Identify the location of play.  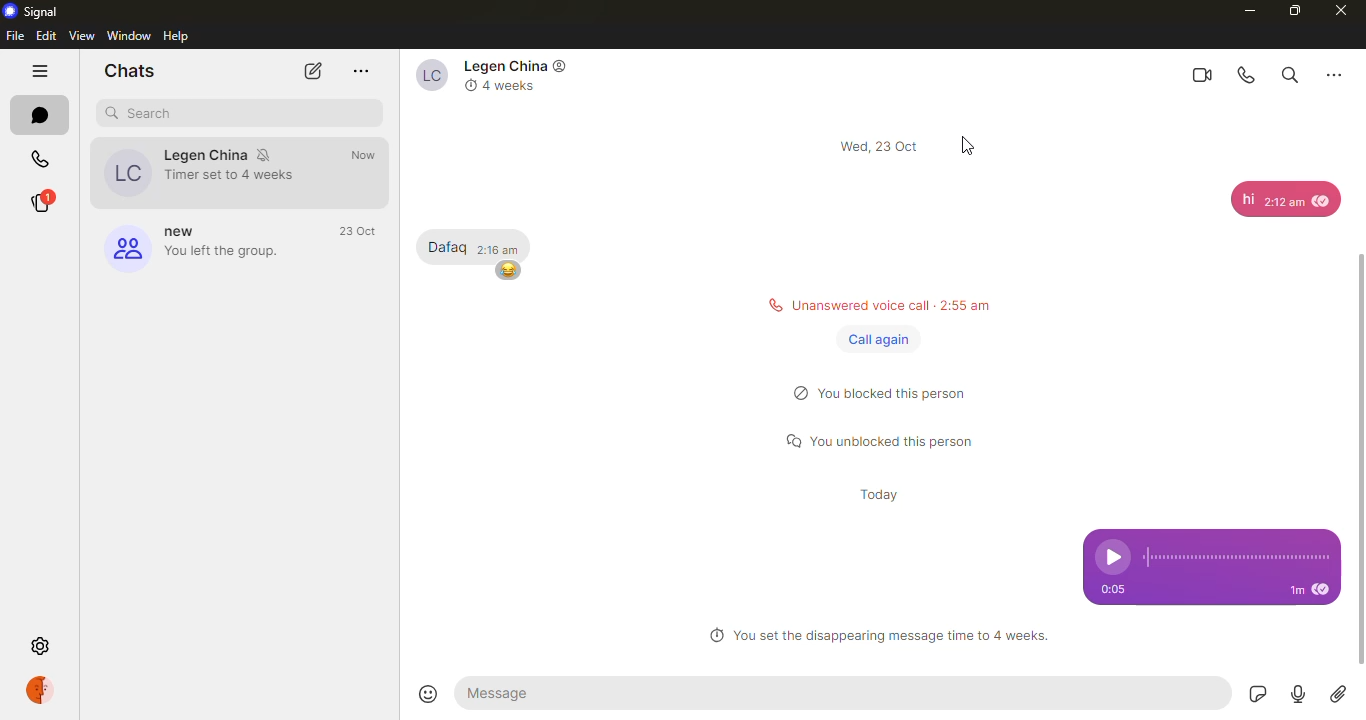
(1112, 554).